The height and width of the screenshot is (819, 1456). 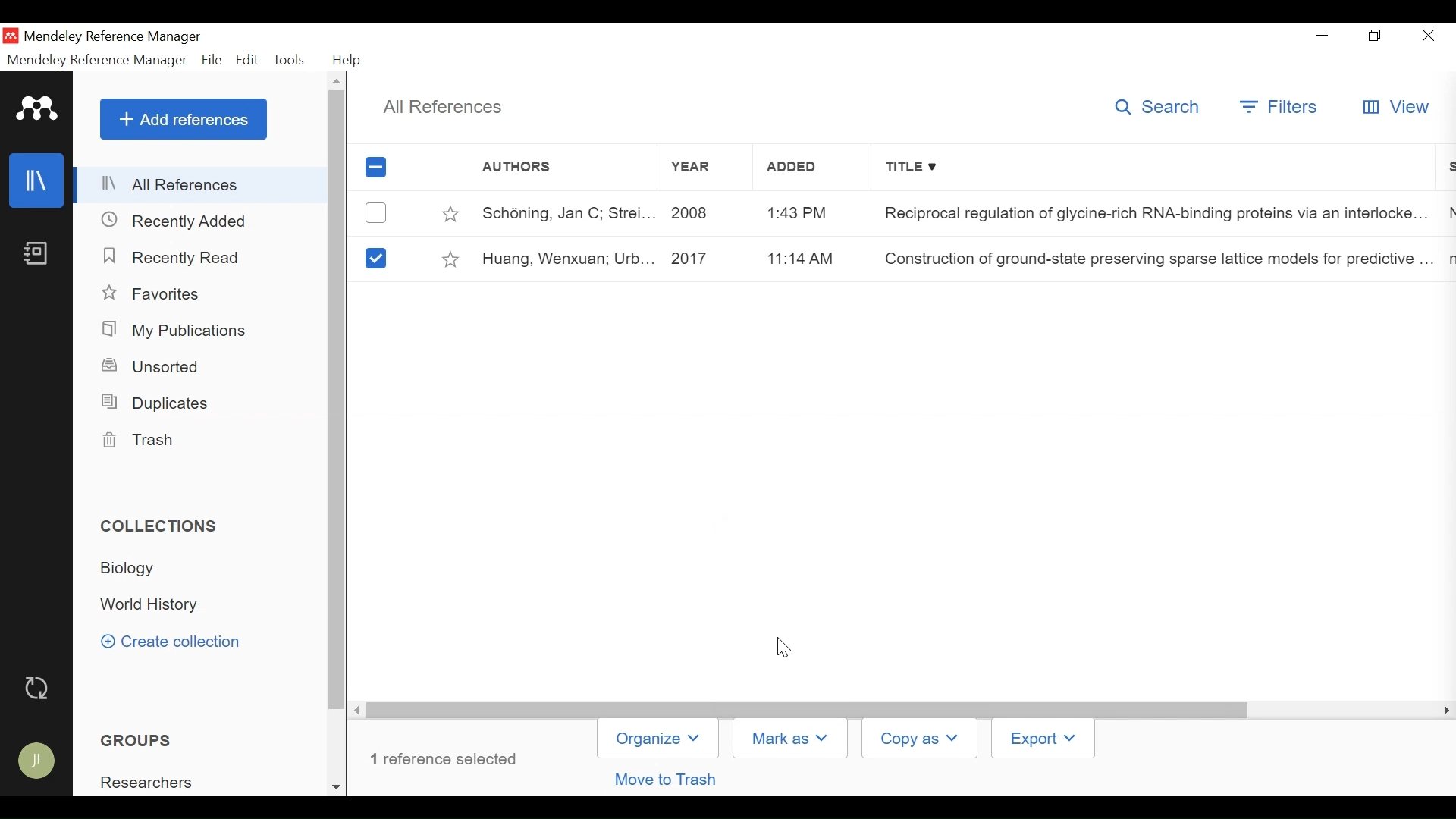 What do you see at coordinates (786, 645) in the screenshot?
I see `Cursor` at bounding box center [786, 645].